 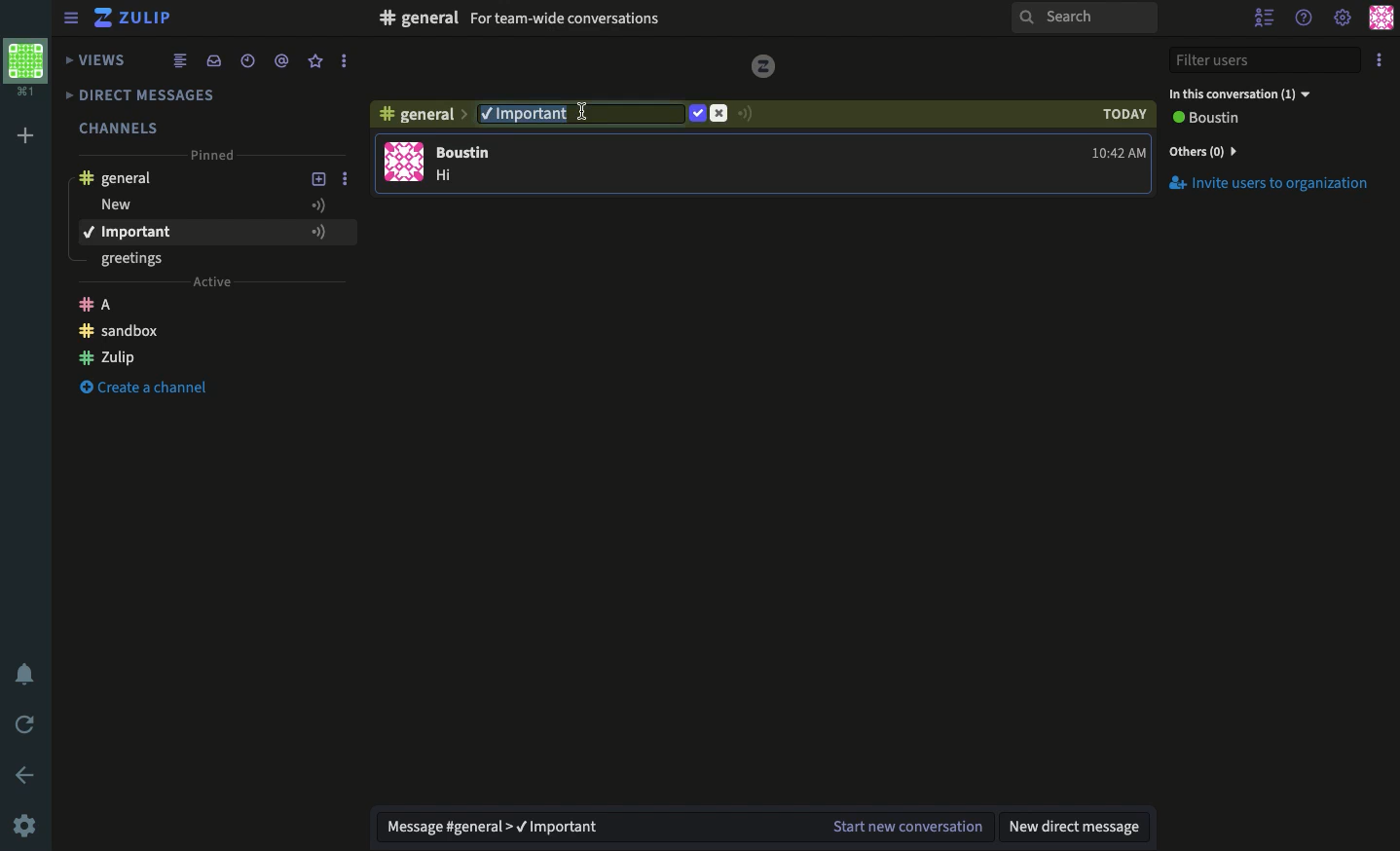 I want to click on New DM, so click(x=1079, y=828).